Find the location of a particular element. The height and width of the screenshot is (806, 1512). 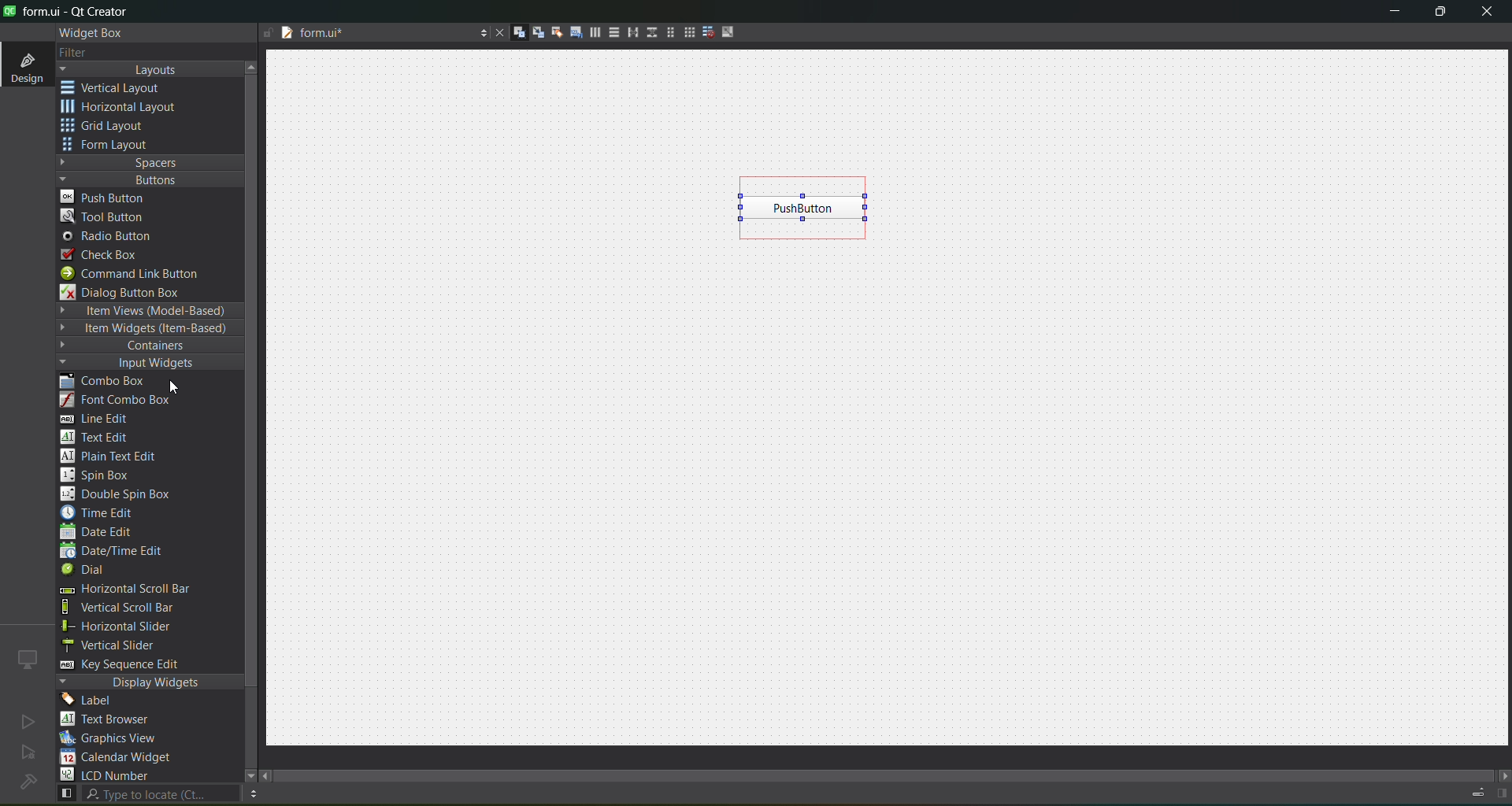

calendar is located at coordinates (118, 759).